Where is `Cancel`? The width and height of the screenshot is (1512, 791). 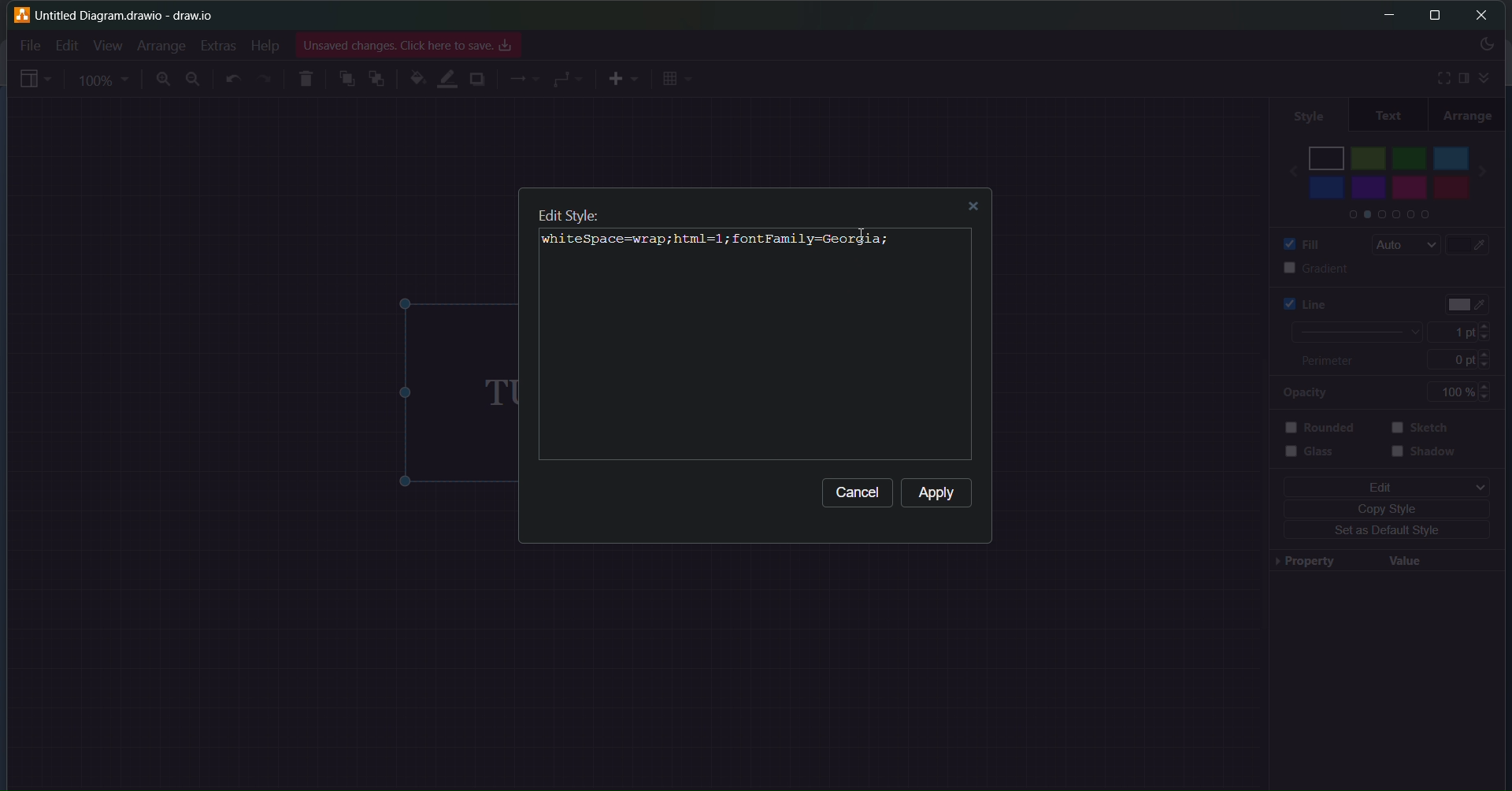
Cancel is located at coordinates (858, 496).